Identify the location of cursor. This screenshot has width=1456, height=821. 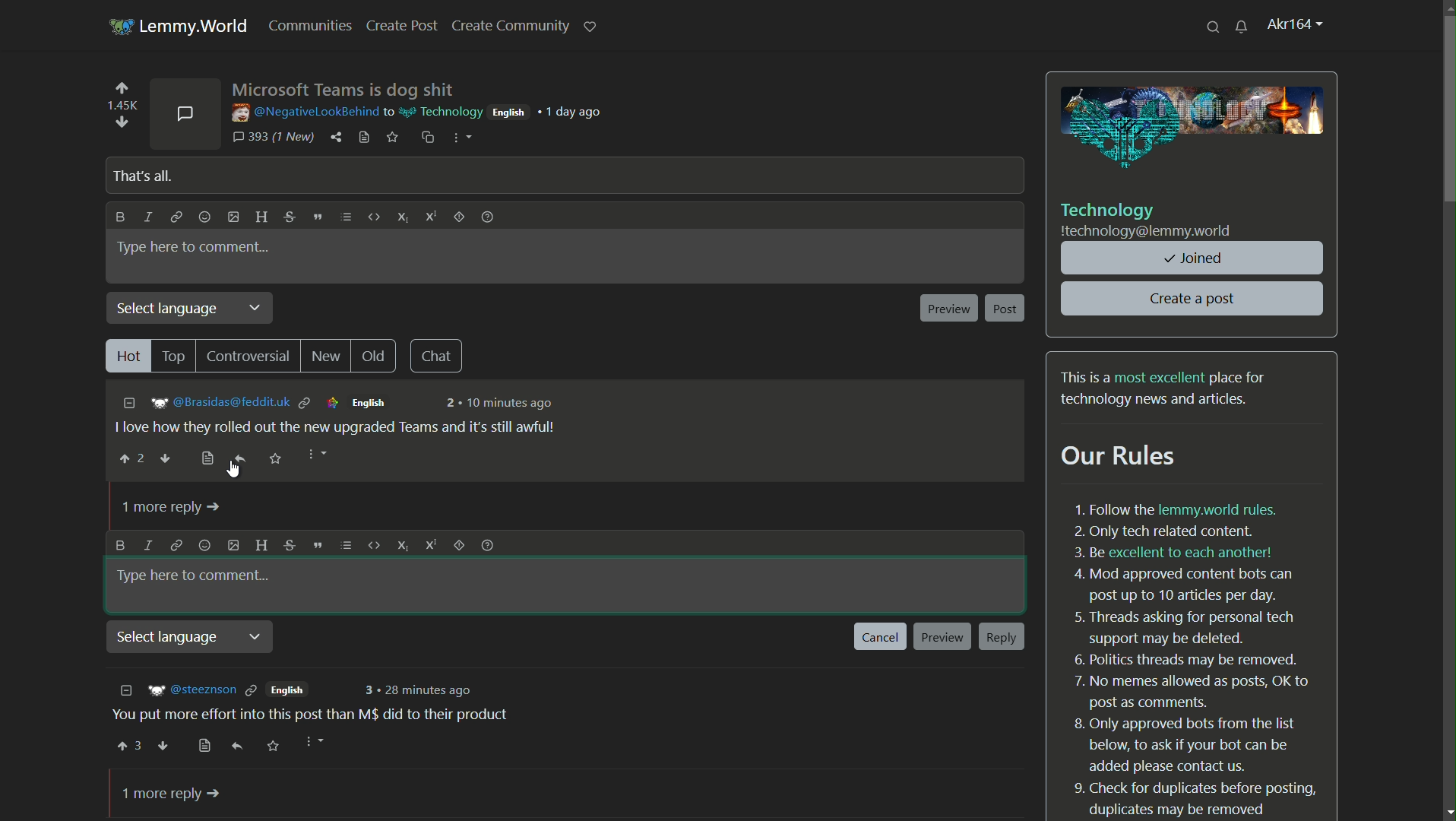
(236, 470).